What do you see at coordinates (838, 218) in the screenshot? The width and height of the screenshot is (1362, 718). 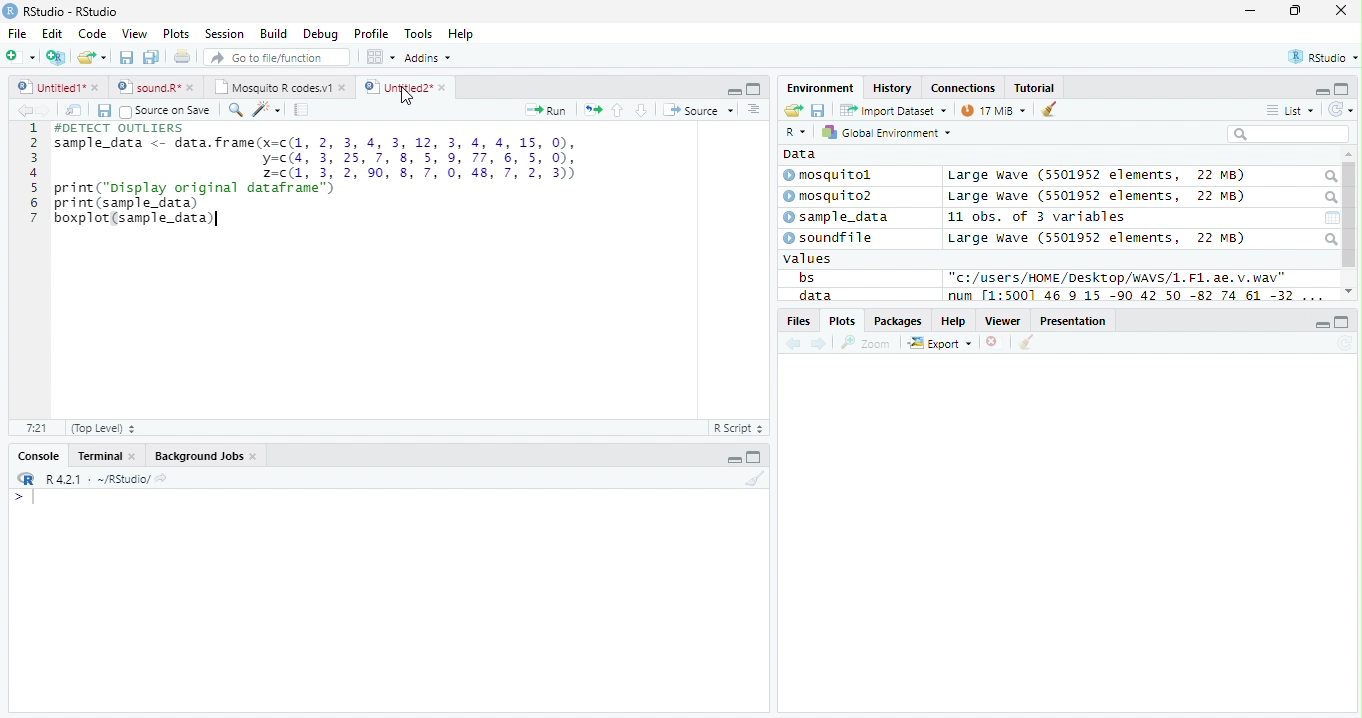 I see `sample_data` at bounding box center [838, 218].